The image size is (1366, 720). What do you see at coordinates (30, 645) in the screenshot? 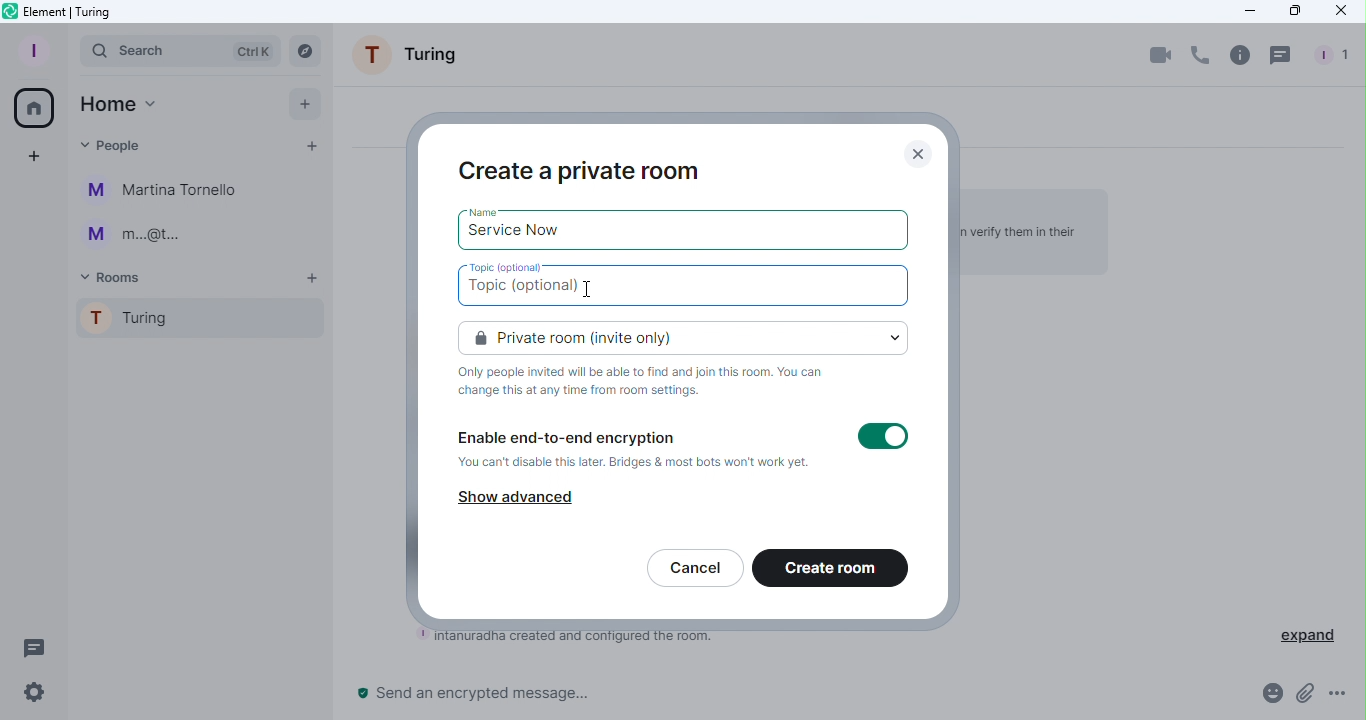
I see `Threads` at bounding box center [30, 645].